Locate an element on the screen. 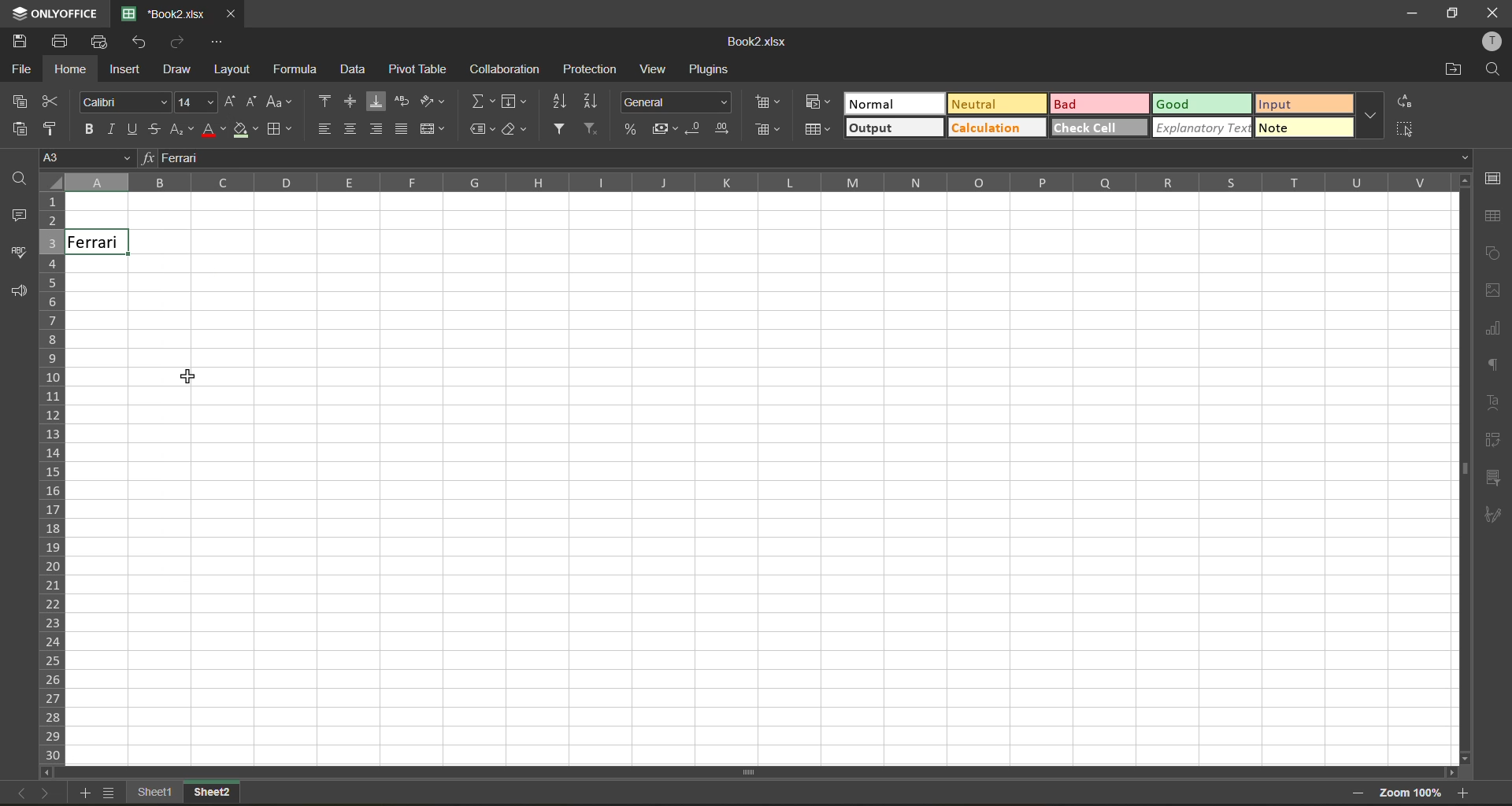 Image resolution: width=1512 pixels, height=806 pixels. merge and center is located at coordinates (435, 130).